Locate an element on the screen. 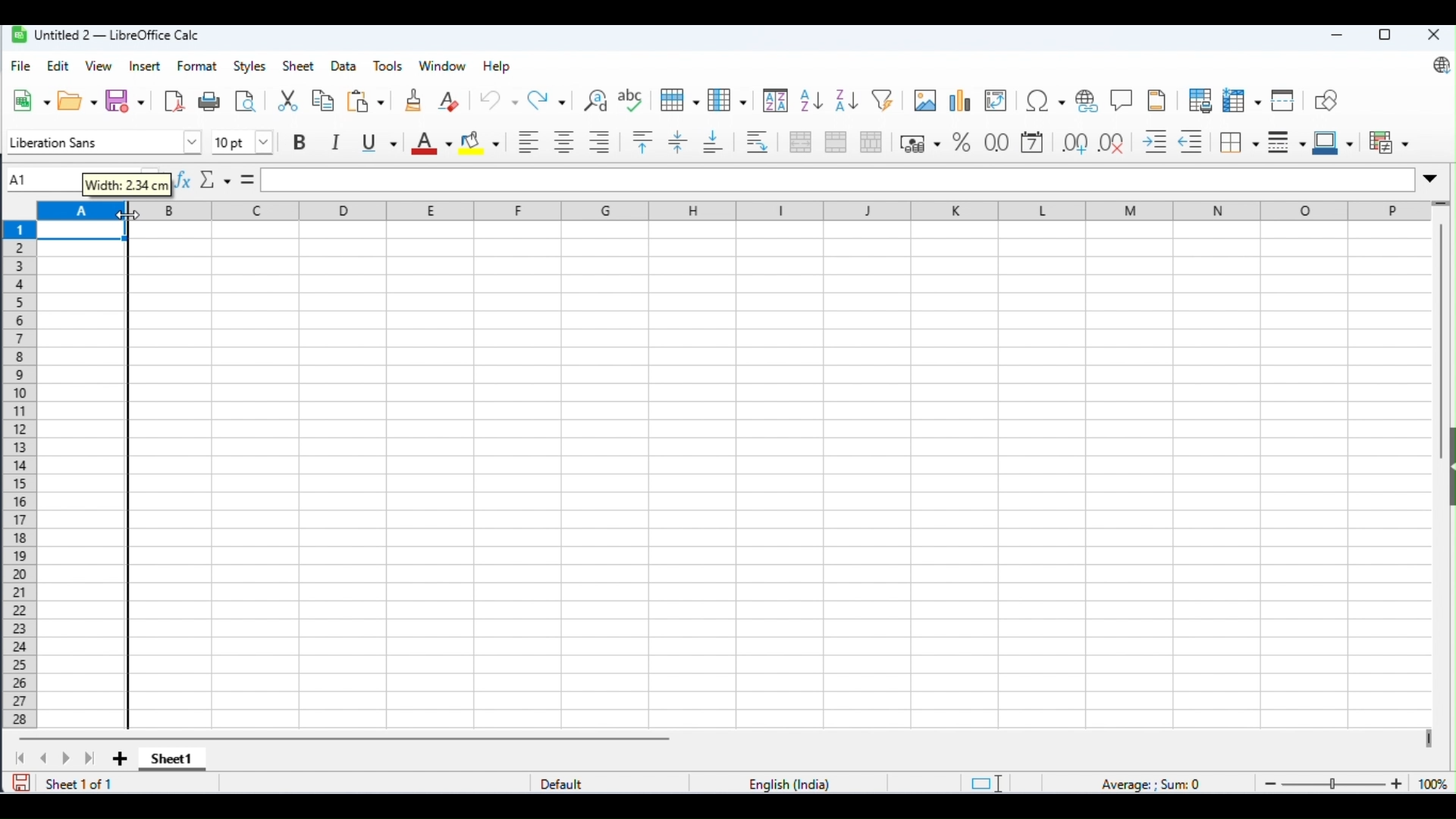  align right is located at coordinates (600, 143).